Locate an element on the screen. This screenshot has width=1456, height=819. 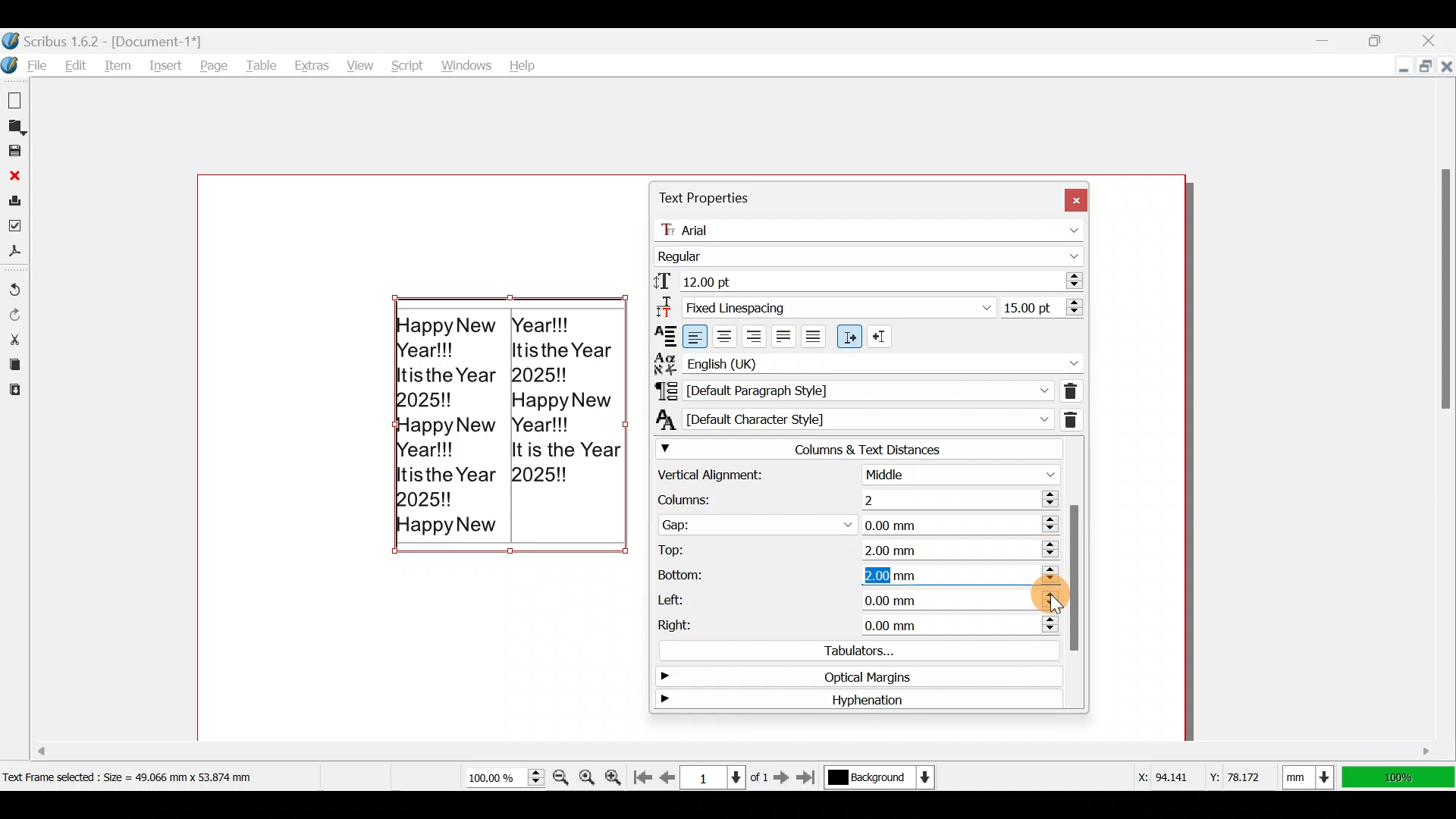
100% zoom ratio is located at coordinates (1401, 777).